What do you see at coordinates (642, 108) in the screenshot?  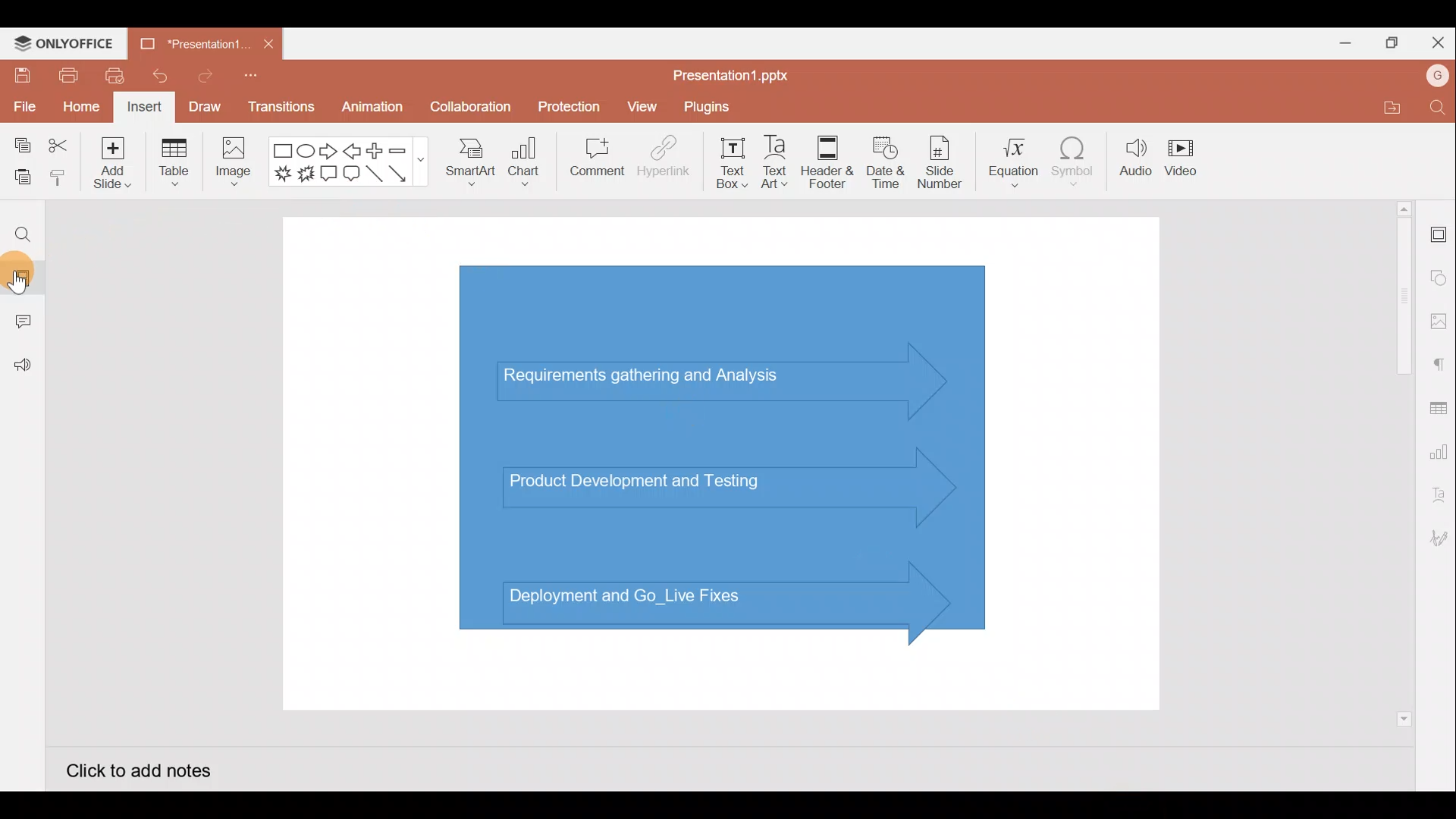 I see `View` at bounding box center [642, 108].